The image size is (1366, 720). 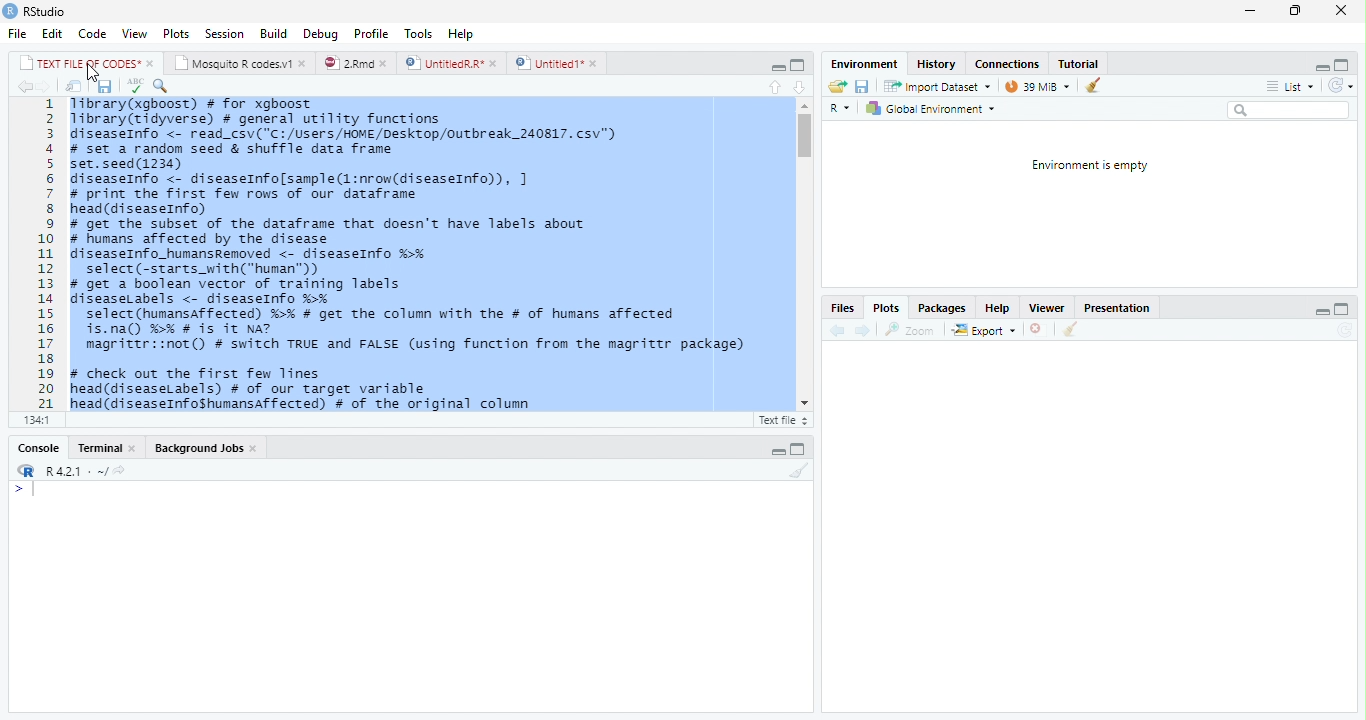 What do you see at coordinates (772, 85) in the screenshot?
I see `Up` at bounding box center [772, 85].